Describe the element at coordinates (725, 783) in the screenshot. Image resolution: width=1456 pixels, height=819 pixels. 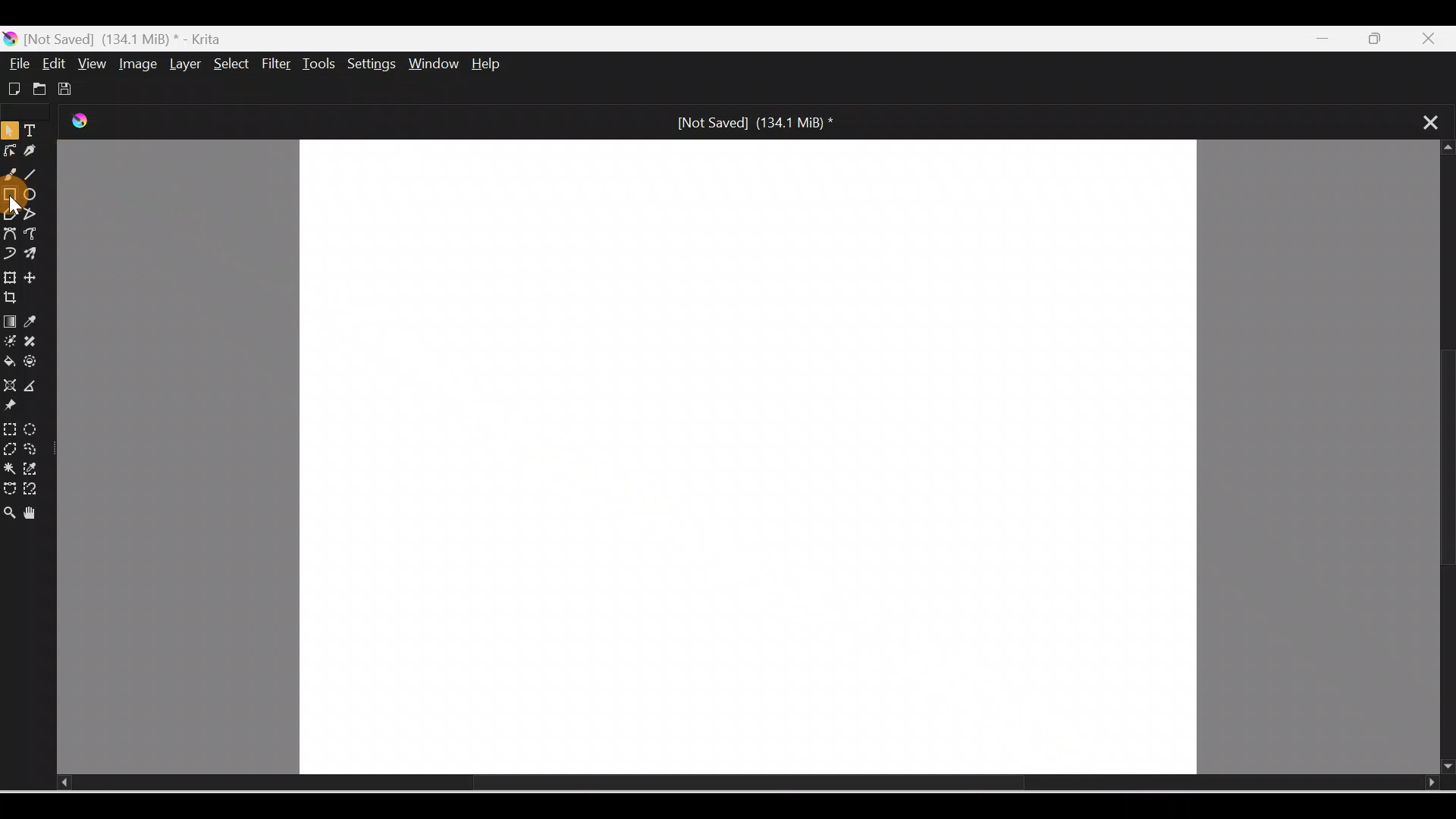
I see `Scroll bar` at that location.